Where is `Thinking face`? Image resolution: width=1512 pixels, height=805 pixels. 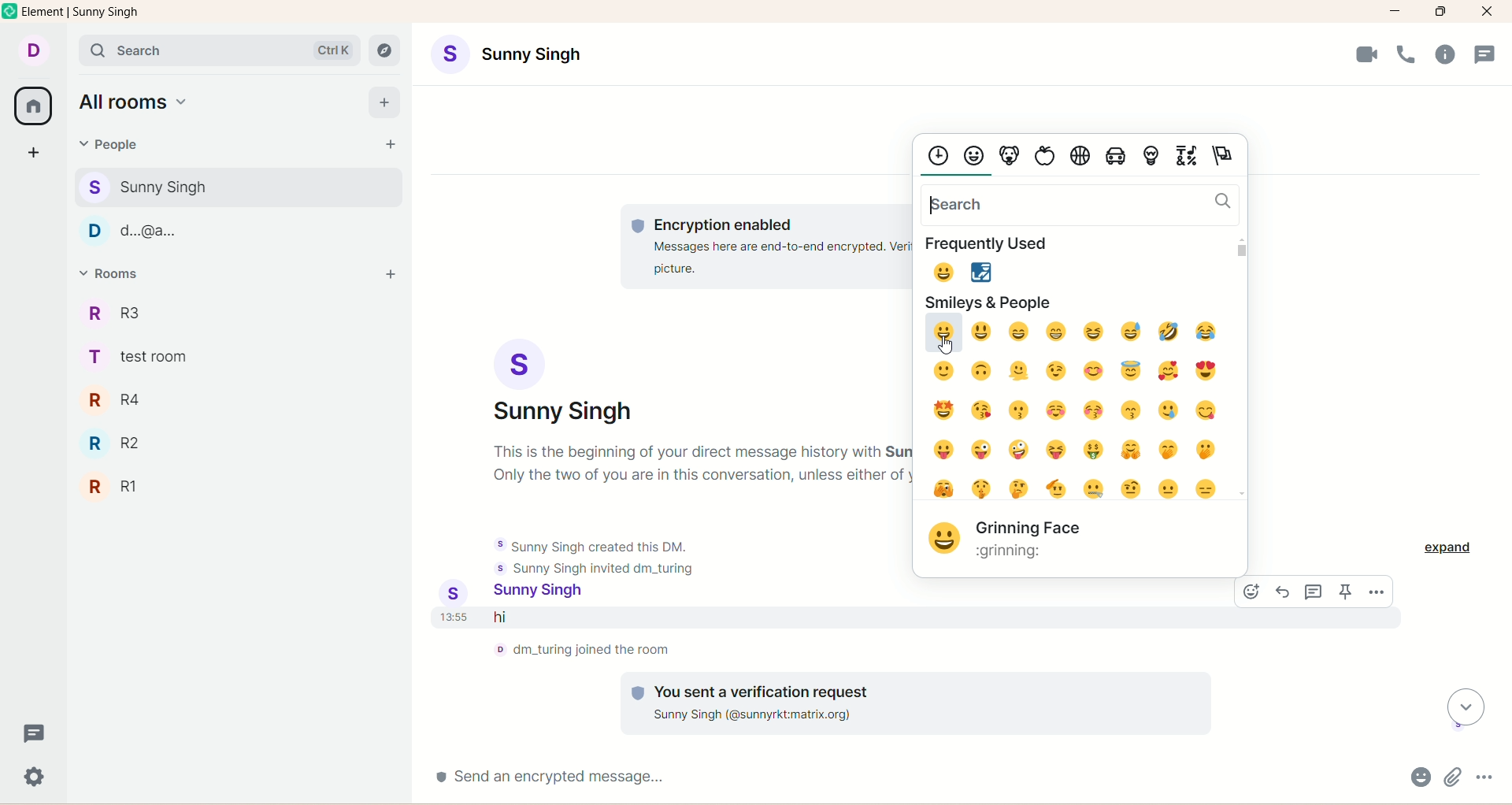 Thinking face is located at coordinates (1018, 488).